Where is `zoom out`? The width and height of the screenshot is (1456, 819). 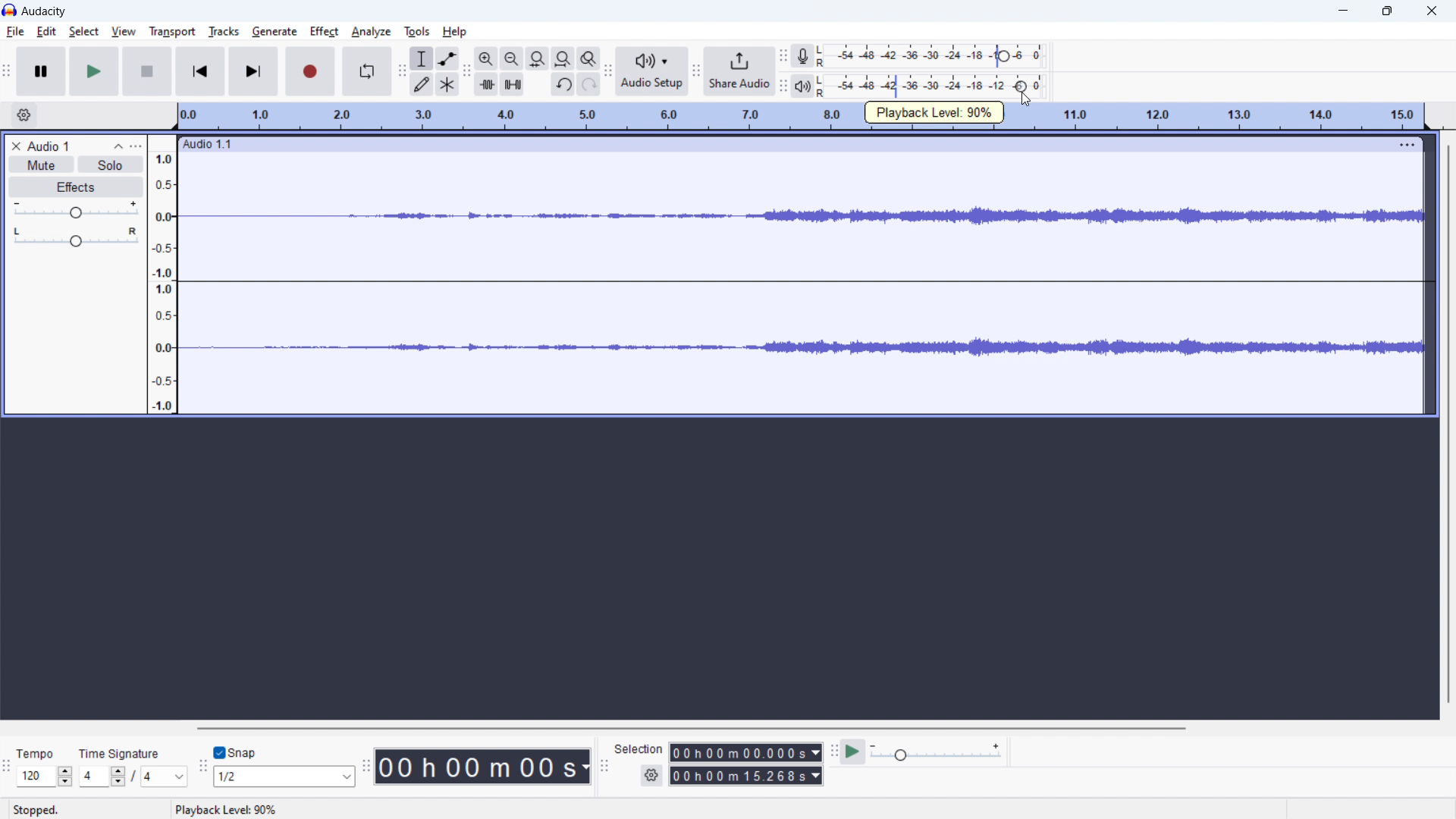
zoom out is located at coordinates (512, 58).